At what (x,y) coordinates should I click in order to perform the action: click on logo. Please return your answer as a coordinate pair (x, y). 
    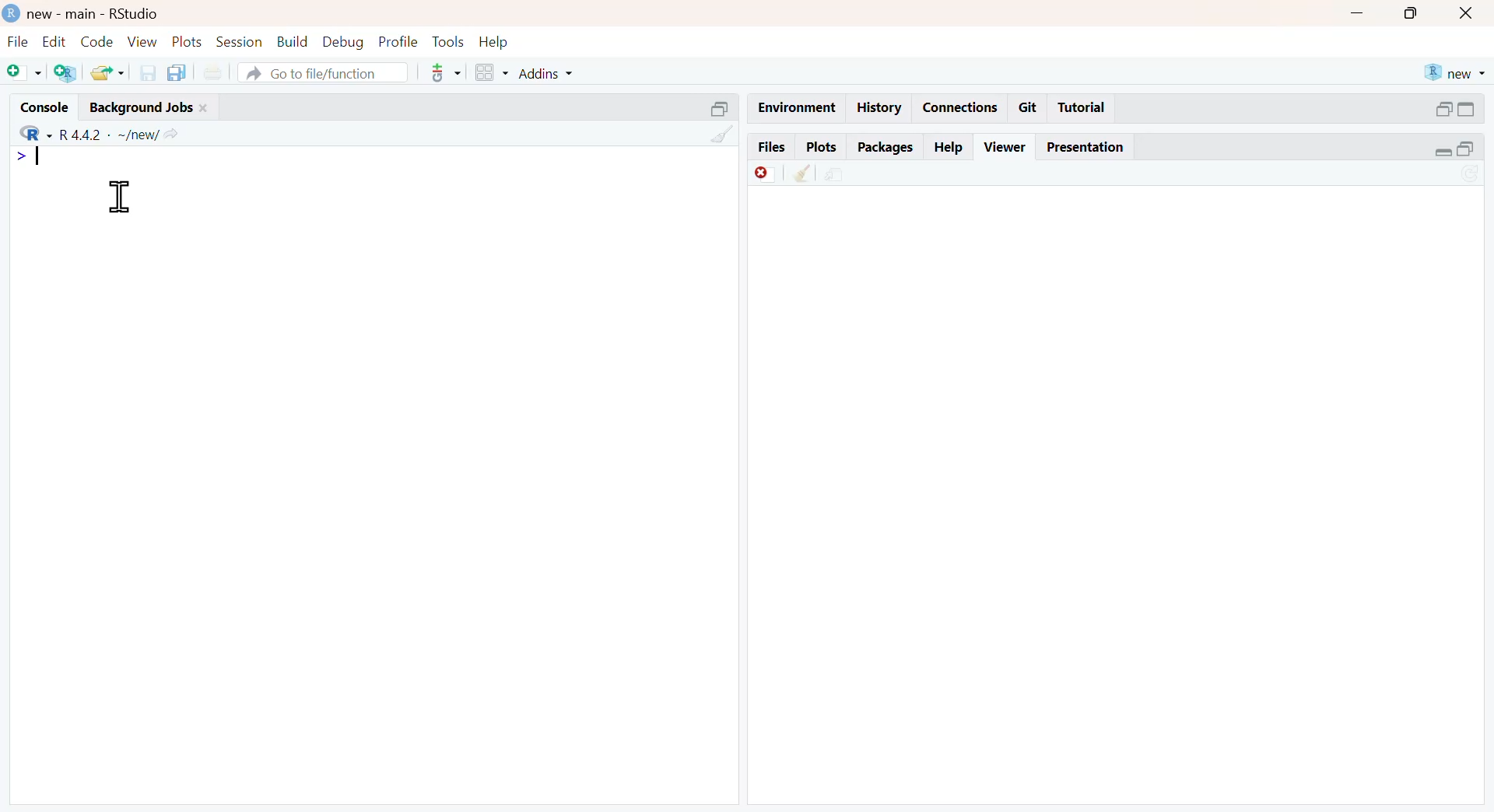
    Looking at the image, I should click on (11, 12).